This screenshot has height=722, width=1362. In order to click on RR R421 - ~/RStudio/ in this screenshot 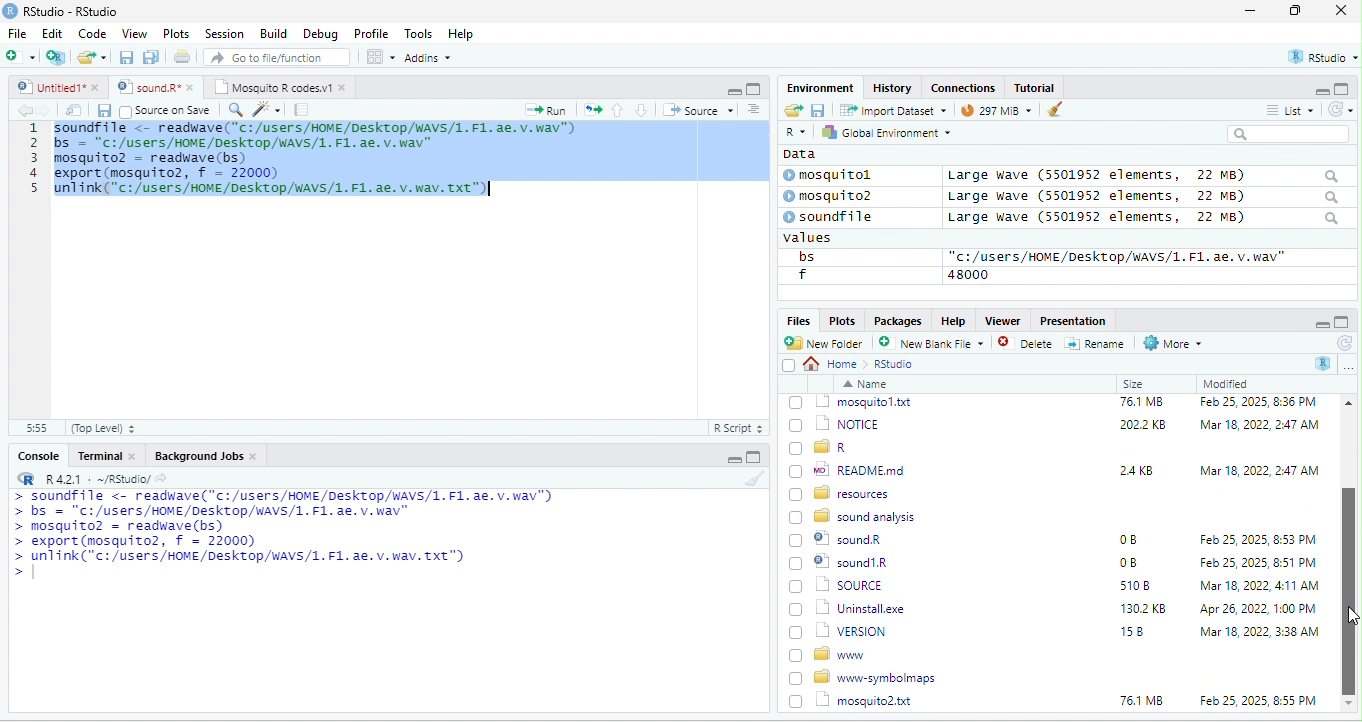, I will do `click(87, 480)`.